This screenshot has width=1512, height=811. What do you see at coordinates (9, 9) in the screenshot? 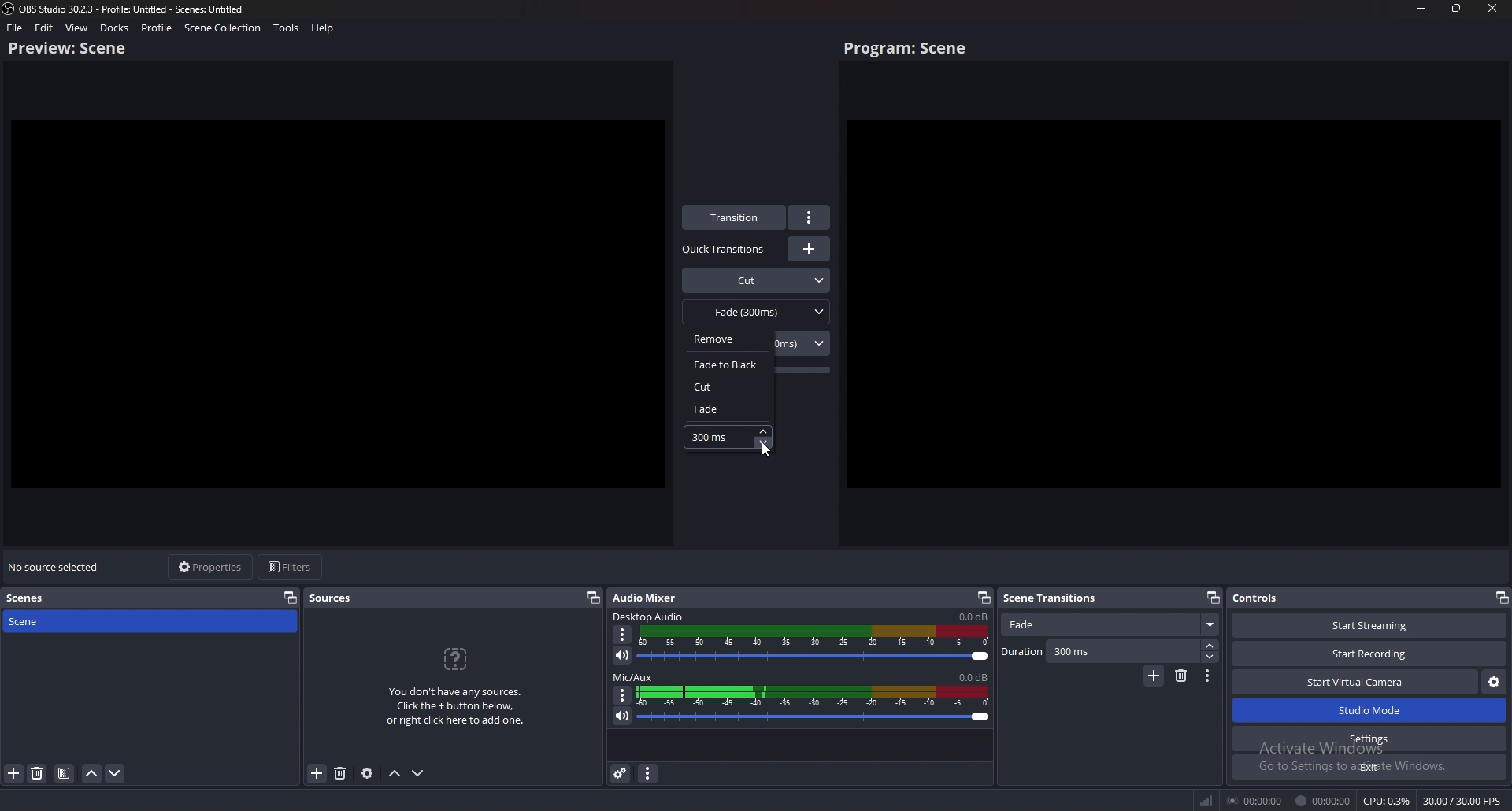
I see `obs studio` at bounding box center [9, 9].